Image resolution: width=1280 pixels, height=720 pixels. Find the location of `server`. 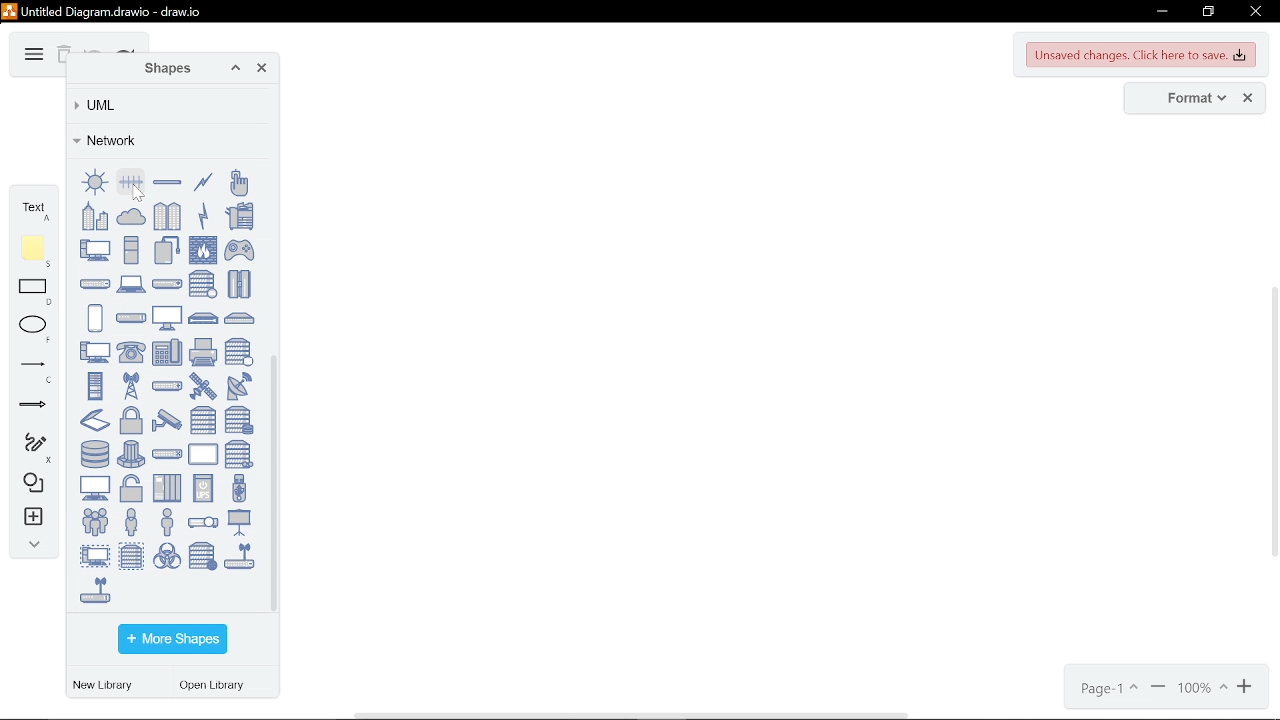

server is located at coordinates (203, 420).